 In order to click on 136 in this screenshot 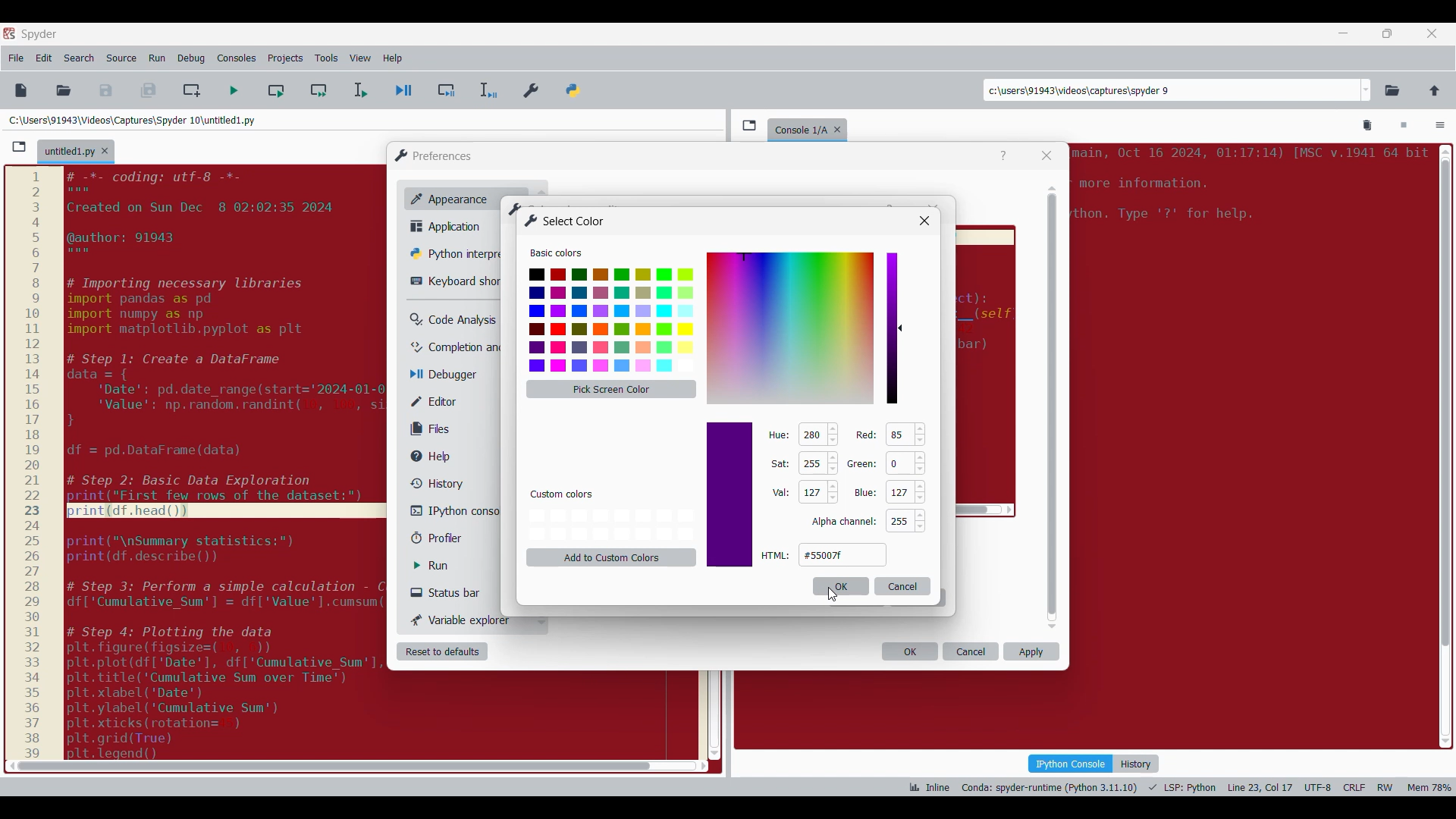, I will do `click(810, 491)`.